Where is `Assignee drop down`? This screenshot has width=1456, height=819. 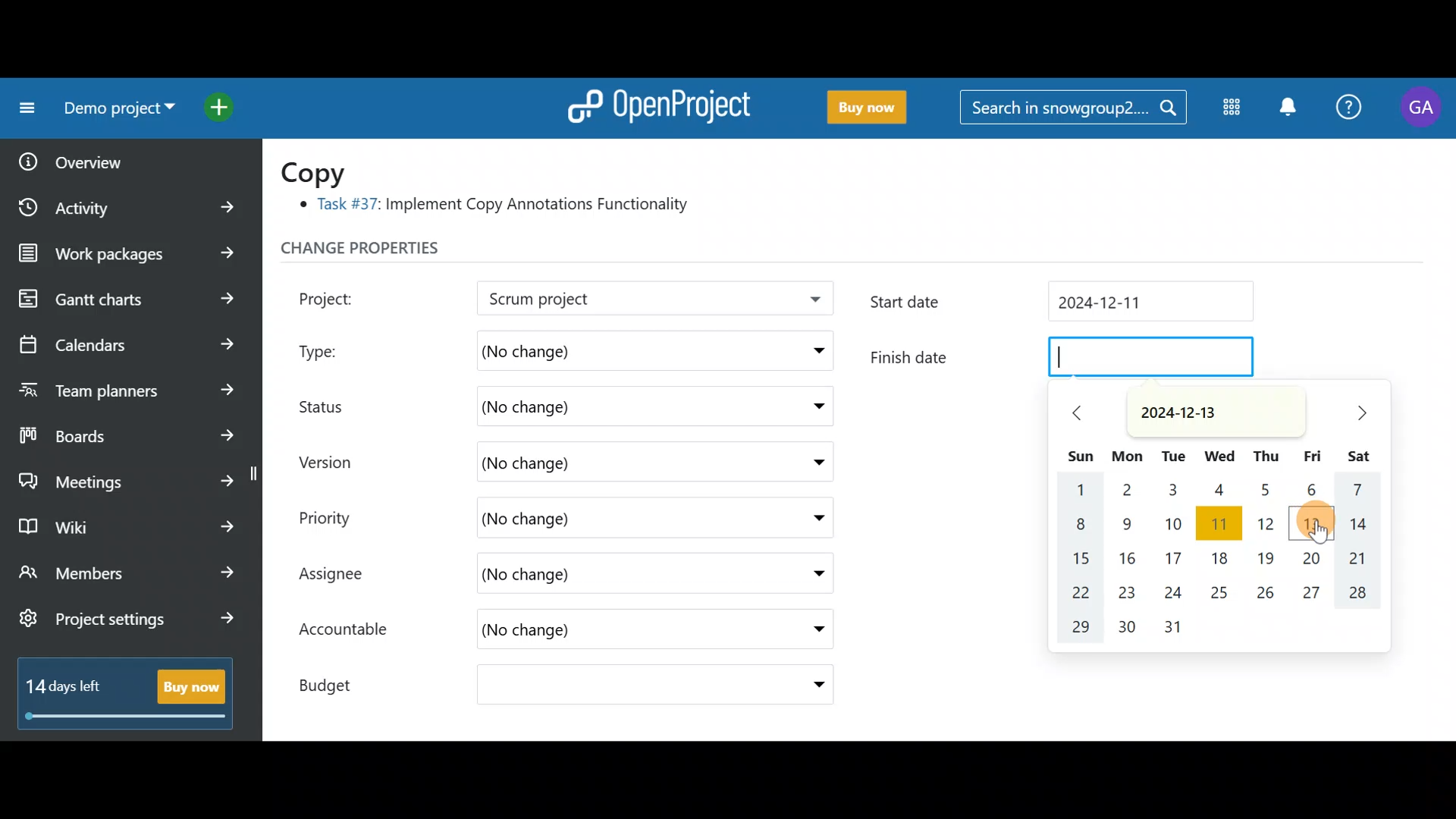
Assignee drop down is located at coordinates (806, 574).